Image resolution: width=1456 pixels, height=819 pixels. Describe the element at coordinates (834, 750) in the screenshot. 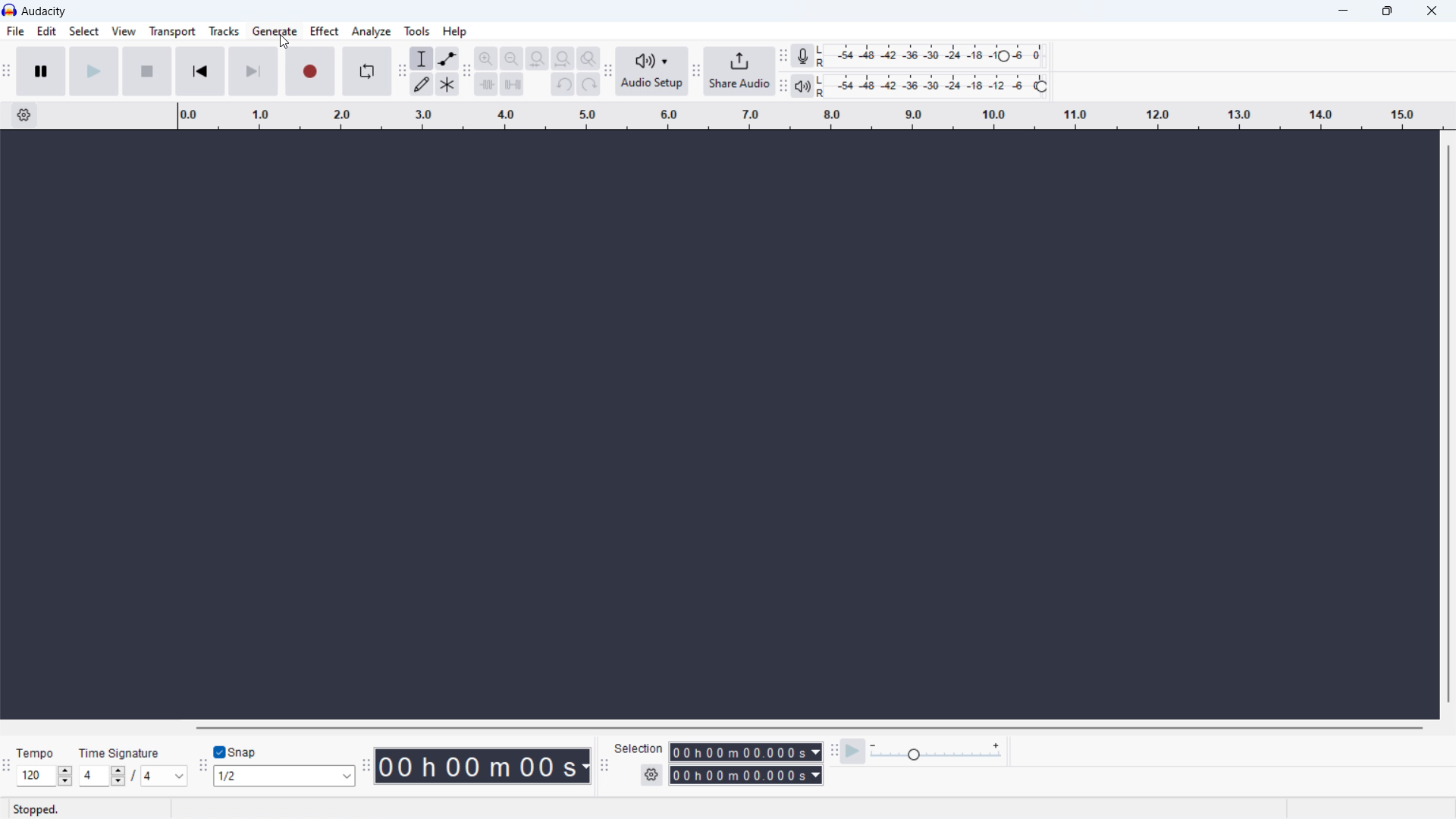

I see `play at speed toolbar` at that location.